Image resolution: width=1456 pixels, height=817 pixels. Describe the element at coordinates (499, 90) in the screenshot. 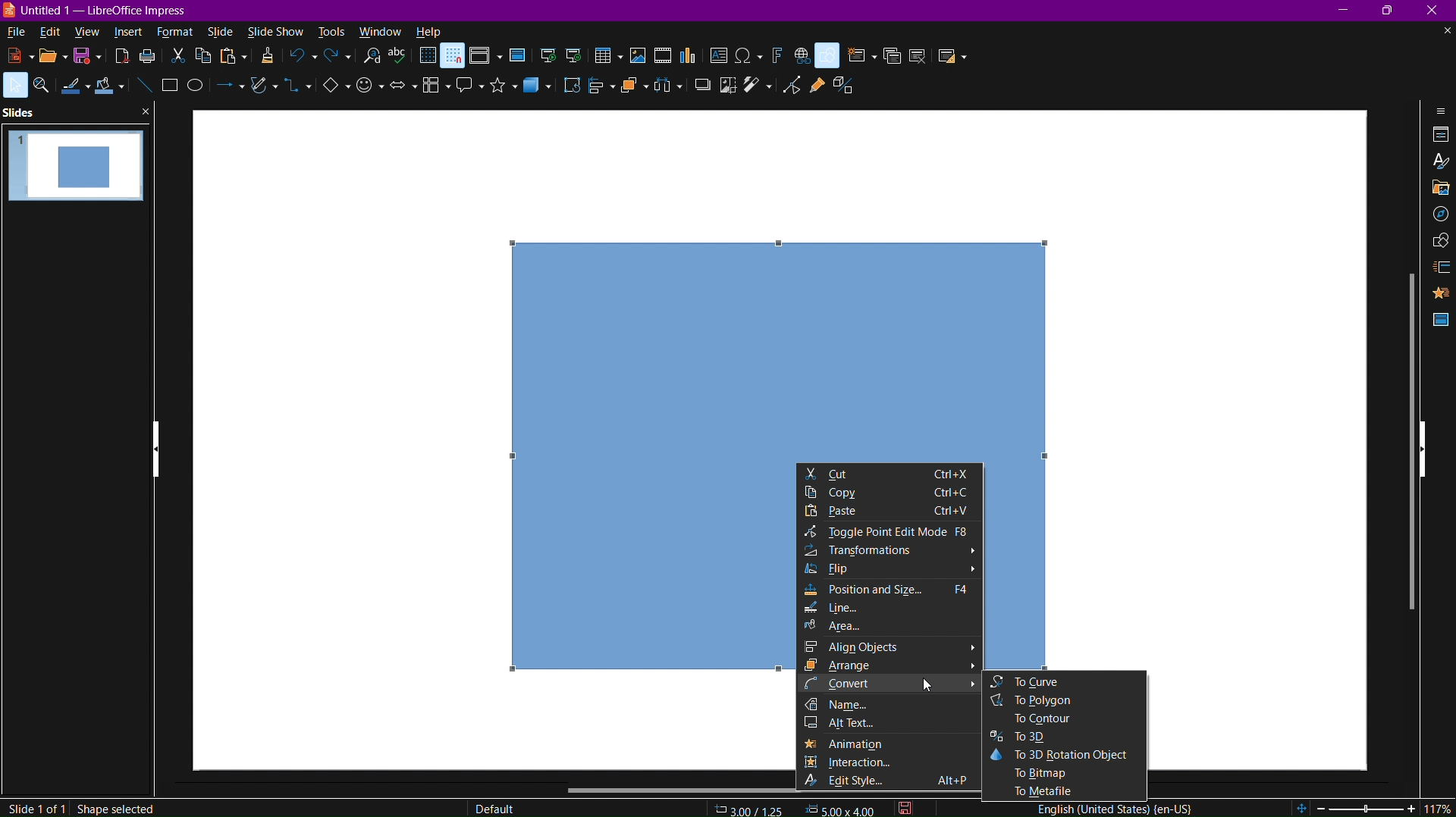

I see `Stars and Banners` at that location.